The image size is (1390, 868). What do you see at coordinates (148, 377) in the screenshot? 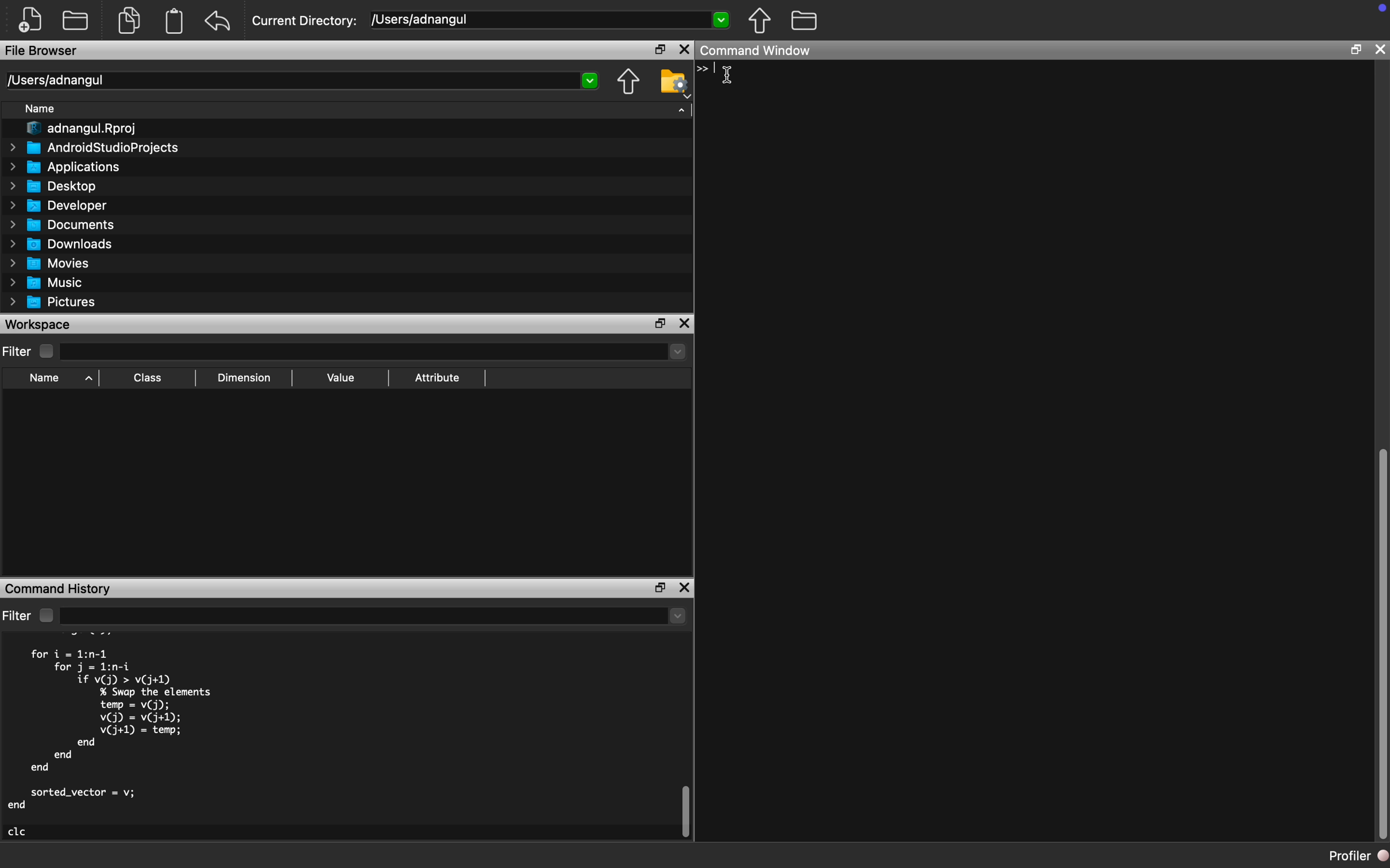
I see `Class` at bounding box center [148, 377].